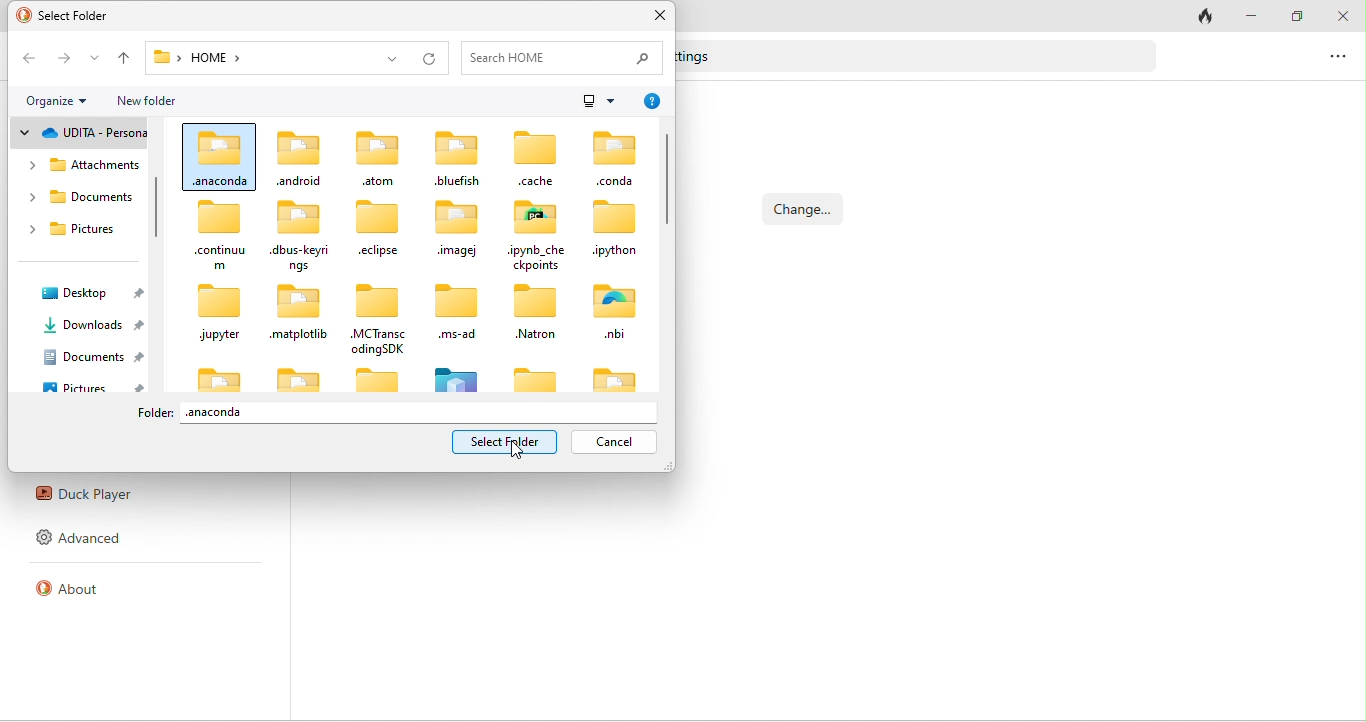 This screenshot has width=1366, height=722. What do you see at coordinates (598, 99) in the screenshot?
I see `more options` at bounding box center [598, 99].